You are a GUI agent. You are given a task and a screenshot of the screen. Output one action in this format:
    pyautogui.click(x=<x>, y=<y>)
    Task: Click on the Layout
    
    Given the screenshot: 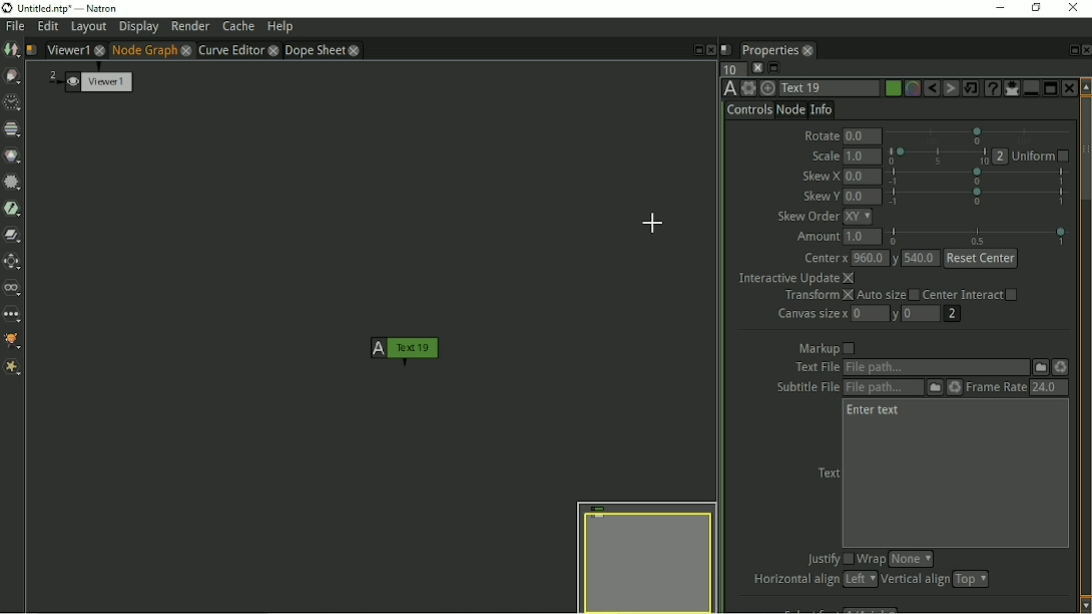 What is the action you would take?
    pyautogui.click(x=88, y=28)
    